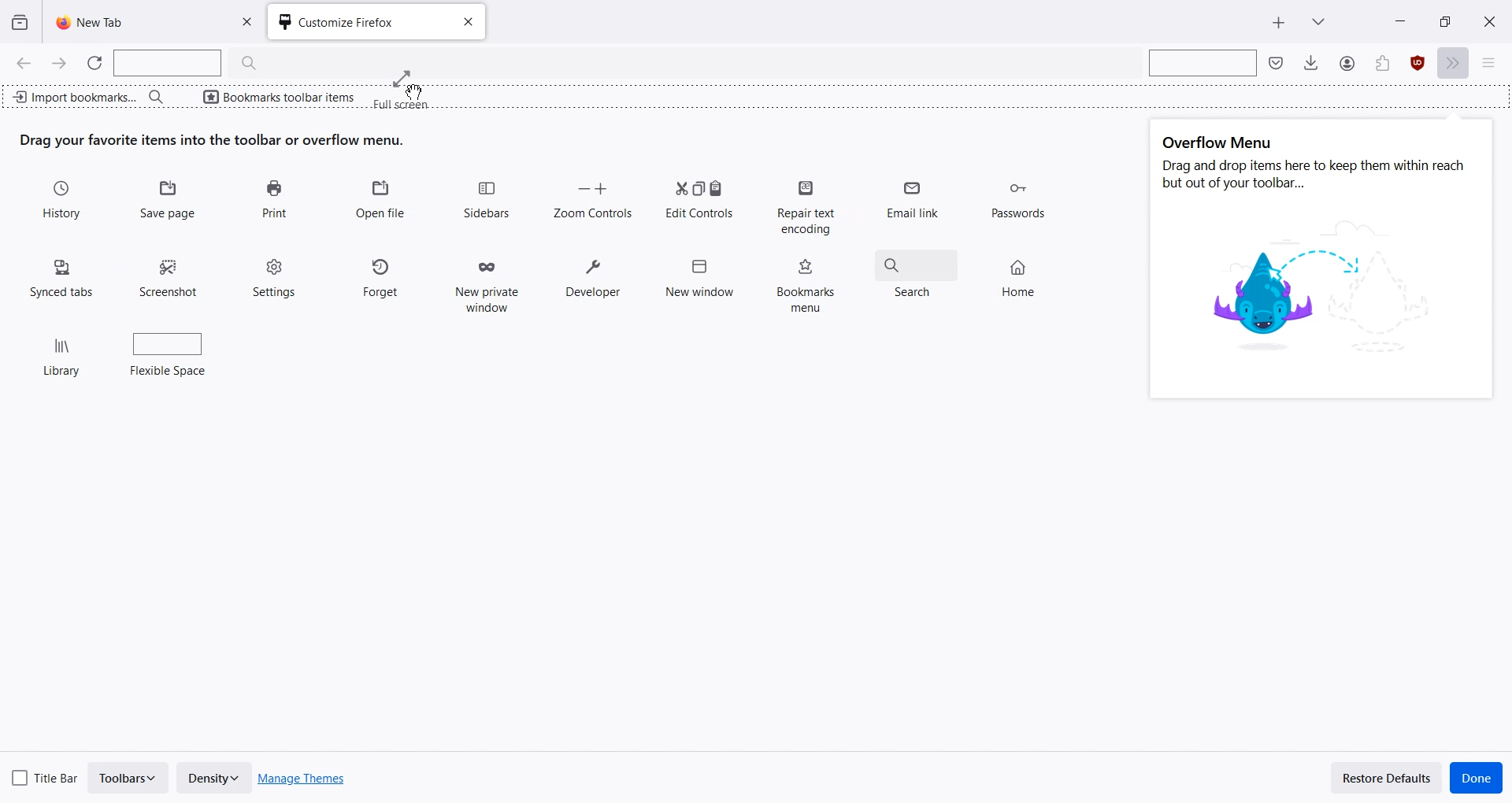 This screenshot has width=1512, height=803. I want to click on Open Application menu, so click(1495, 64).